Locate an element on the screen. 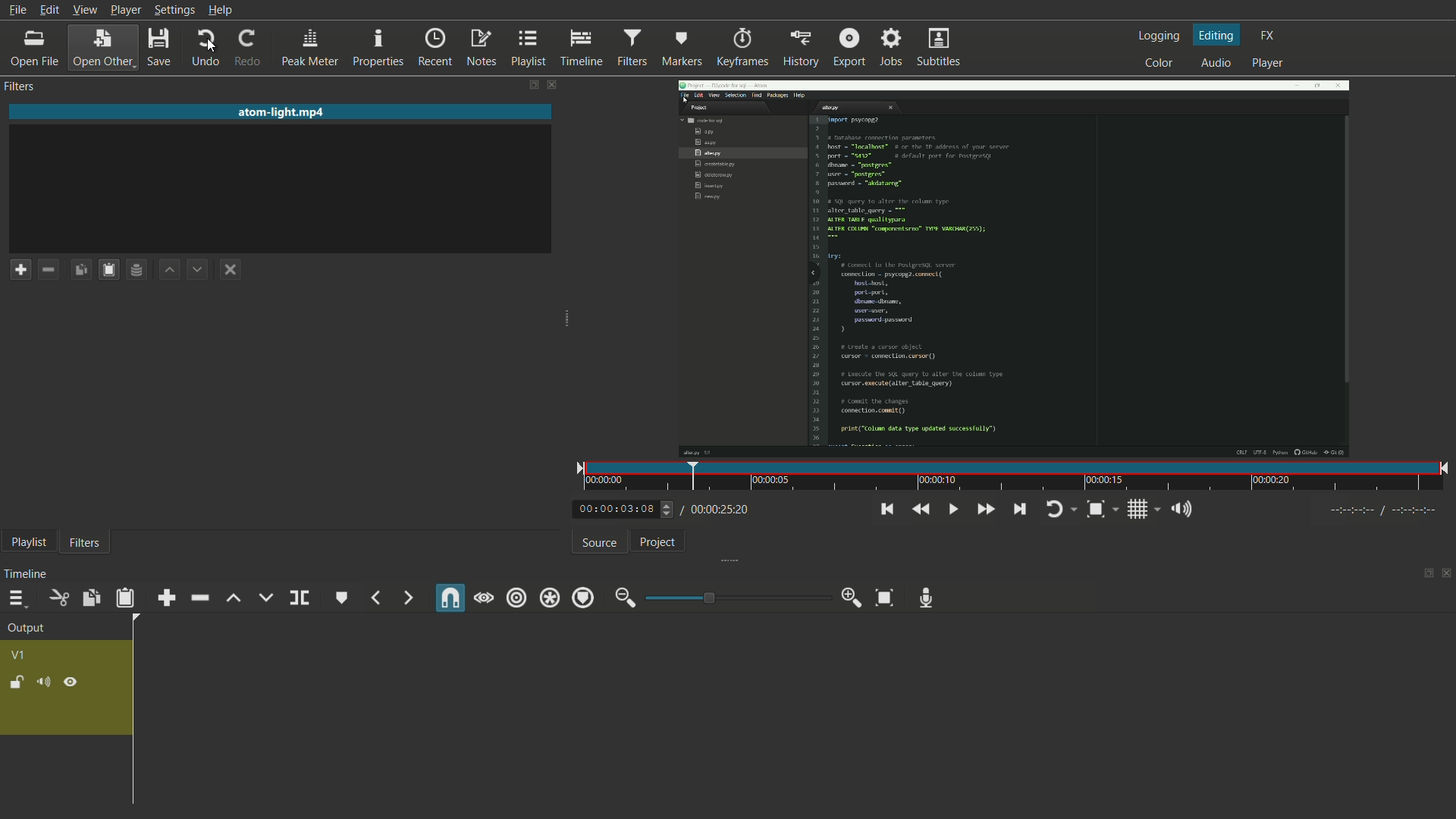  time is located at coordinates (1009, 479).